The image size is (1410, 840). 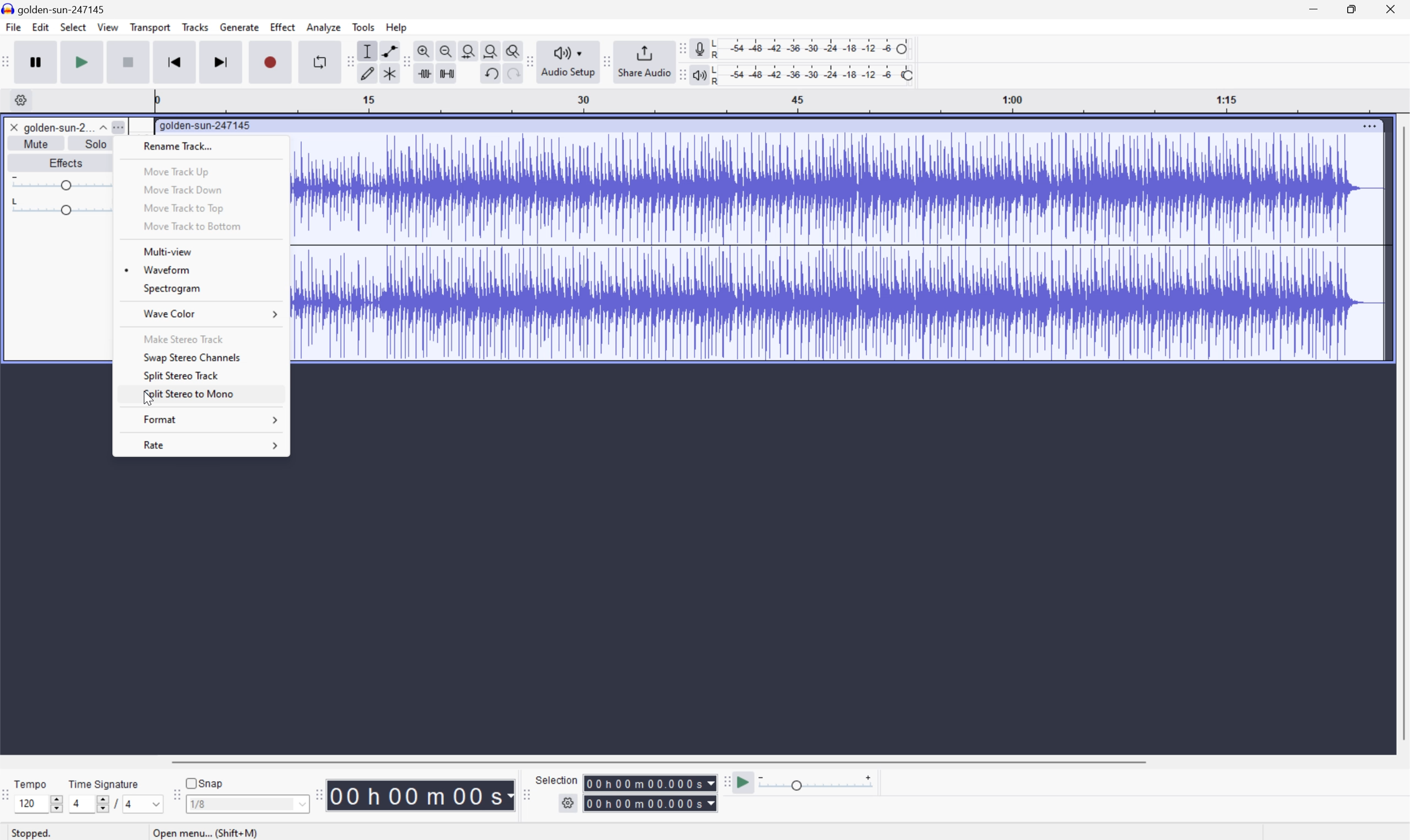 What do you see at coordinates (85, 62) in the screenshot?
I see `Play` at bounding box center [85, 62].